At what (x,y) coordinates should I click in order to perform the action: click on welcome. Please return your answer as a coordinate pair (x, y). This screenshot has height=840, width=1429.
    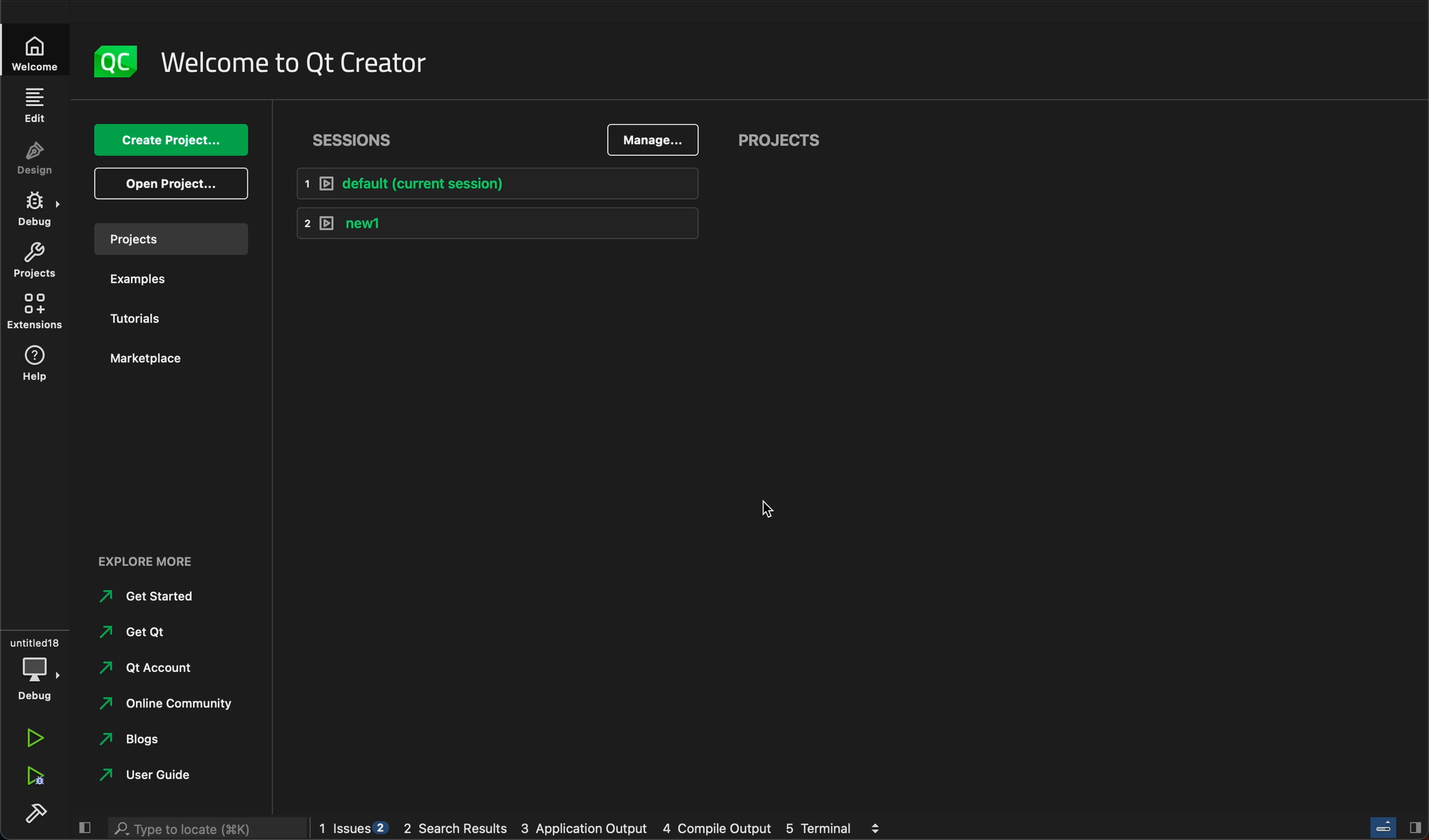
    Looking at the image, I should click on (293, 60).